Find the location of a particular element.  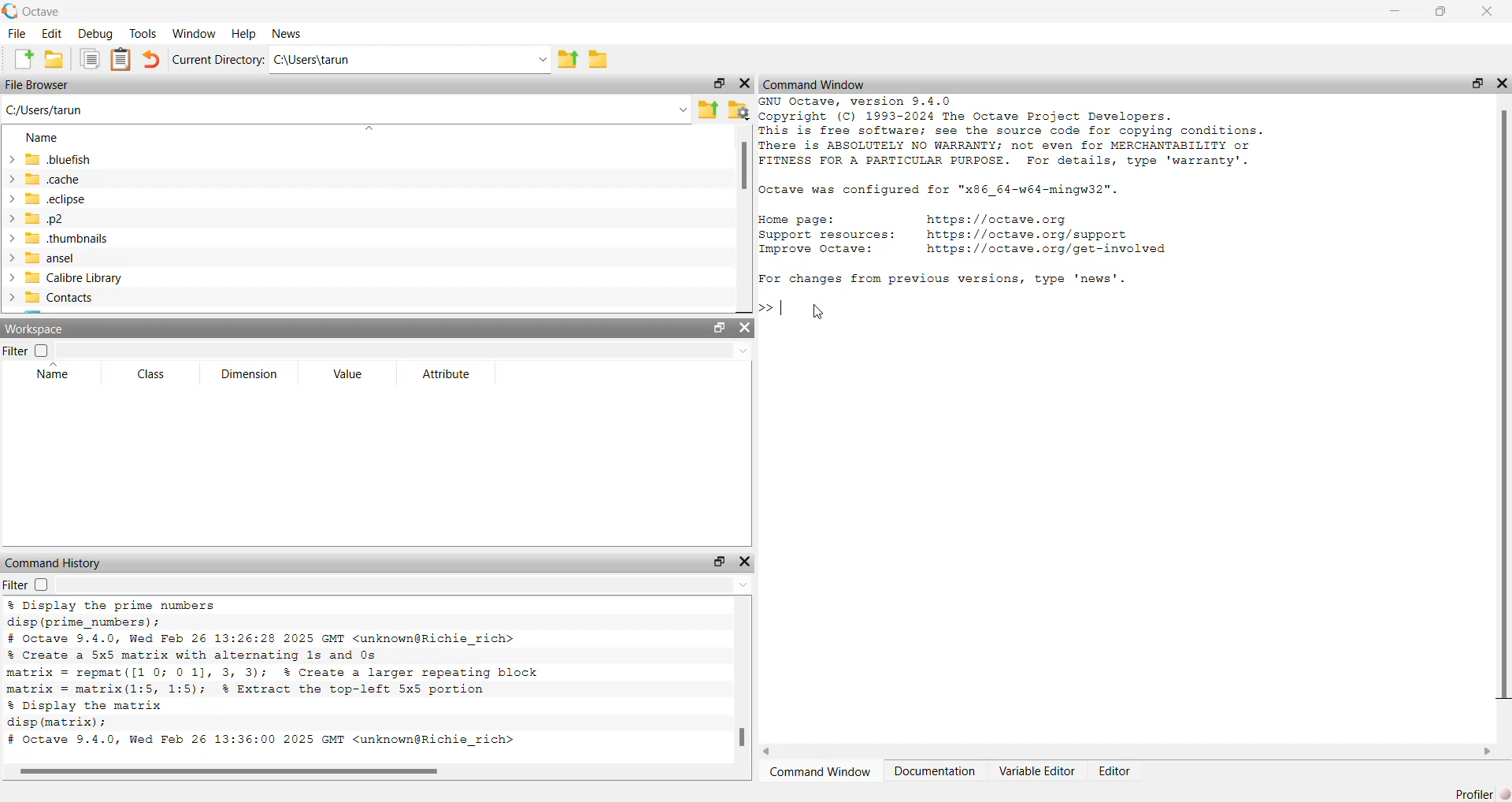

browse your files is located at coordinates (738, 109).